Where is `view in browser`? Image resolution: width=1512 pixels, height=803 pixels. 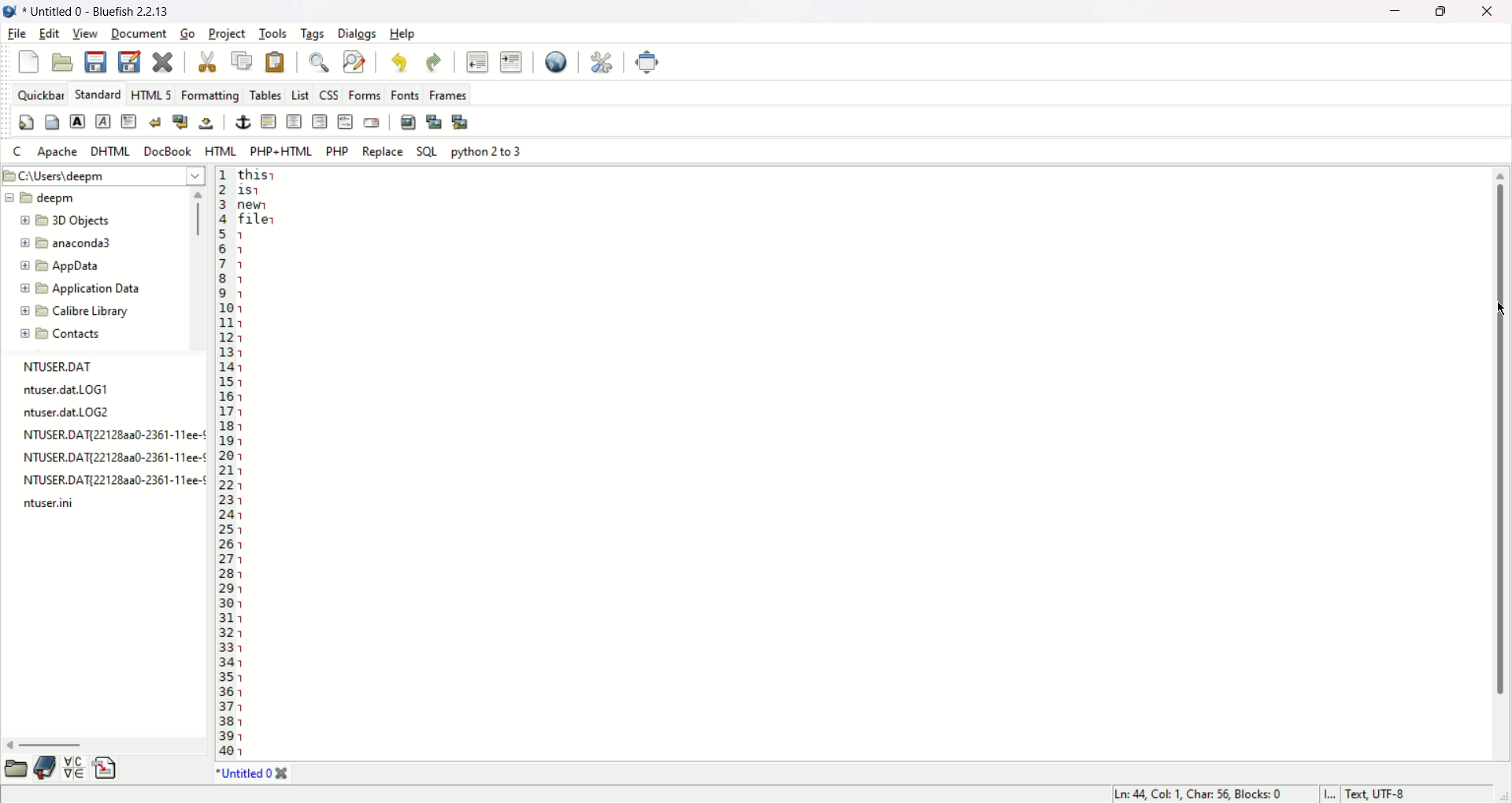 view in browser is located at coordinates (555, 62).